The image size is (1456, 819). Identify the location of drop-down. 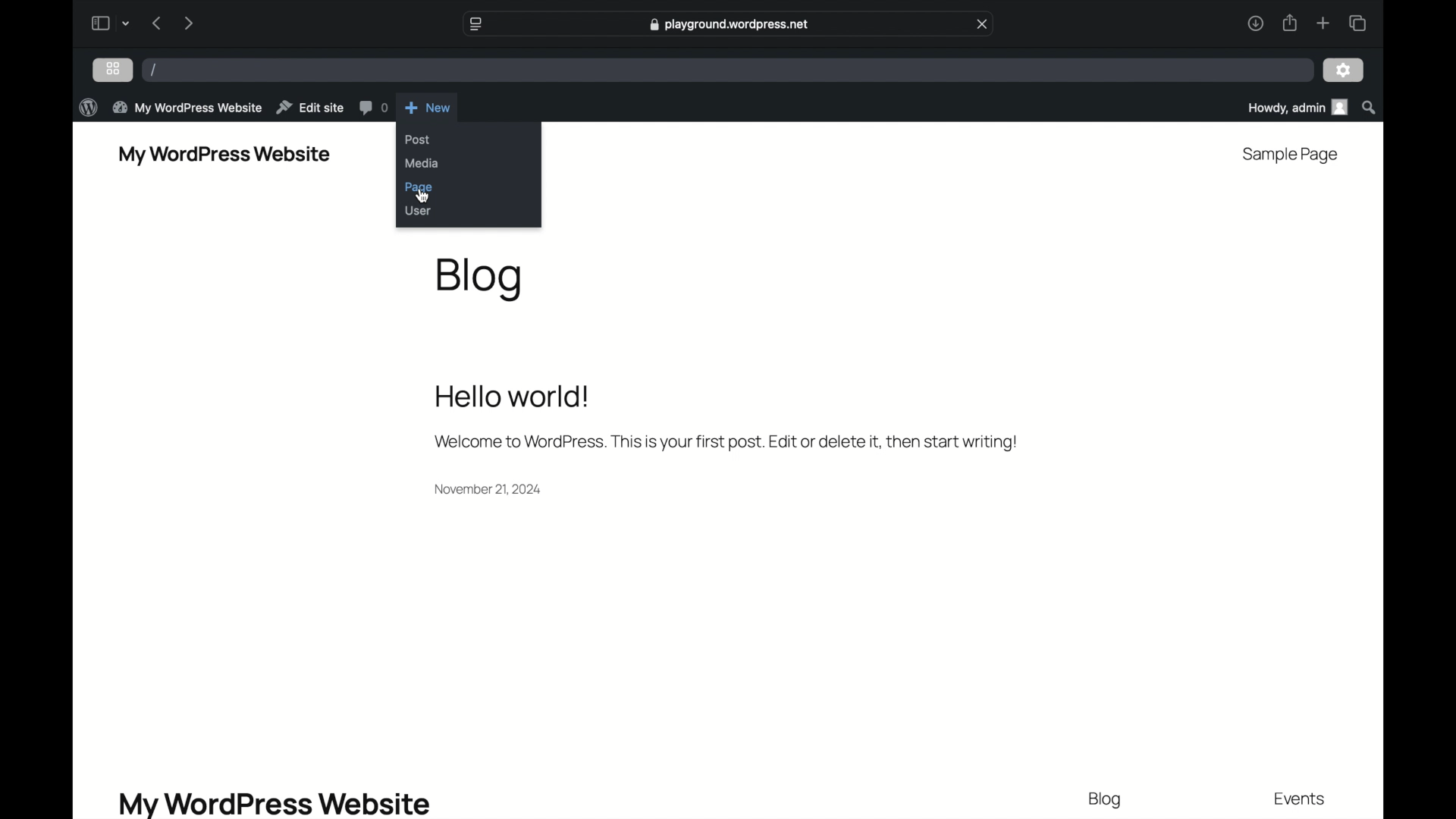
(126, 24).